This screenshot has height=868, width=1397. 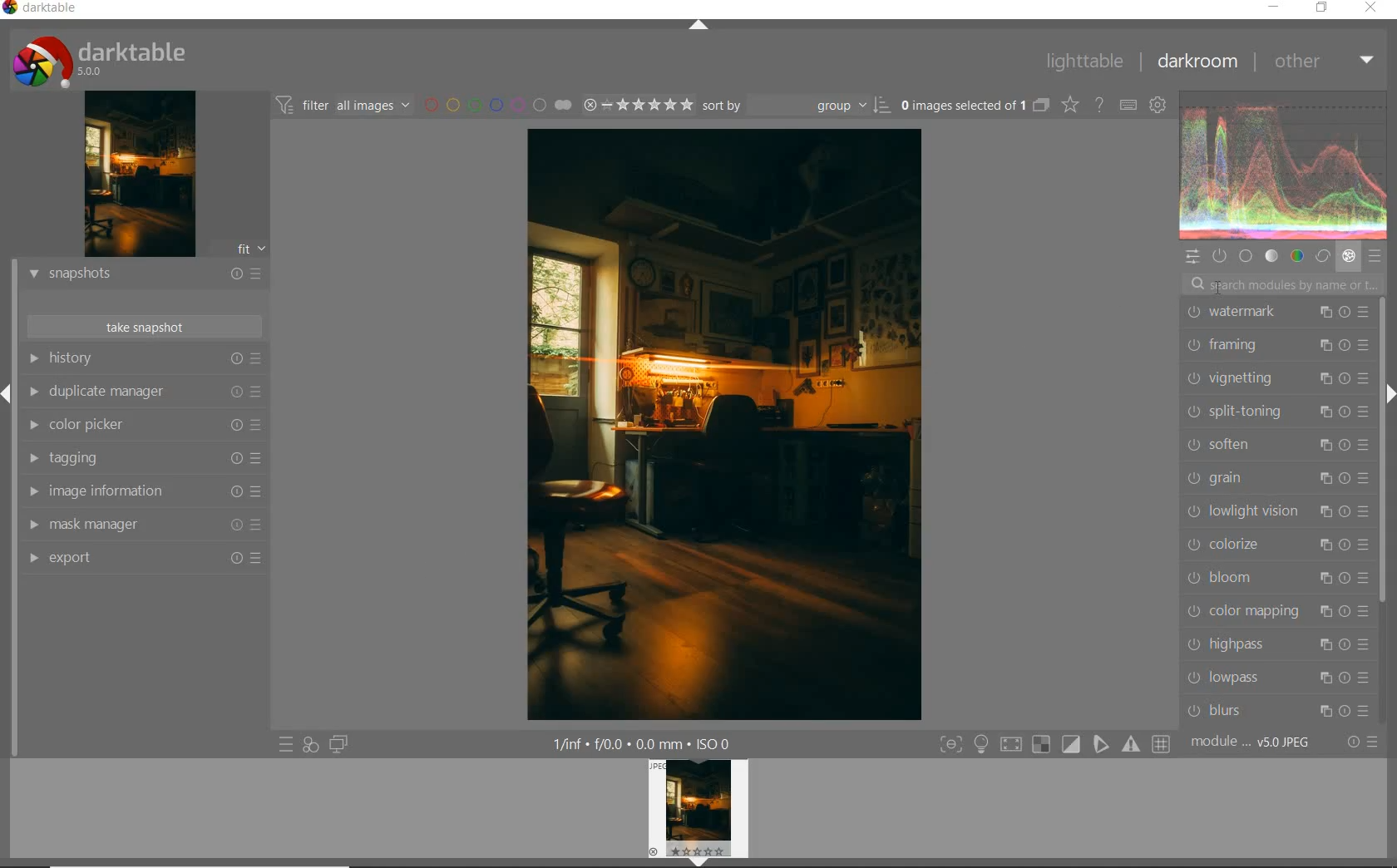 What do you see at coordinates (1128, 106) in the screenshot?
I see `set keyboard shortcuts` at bounding box center [1128, 106].